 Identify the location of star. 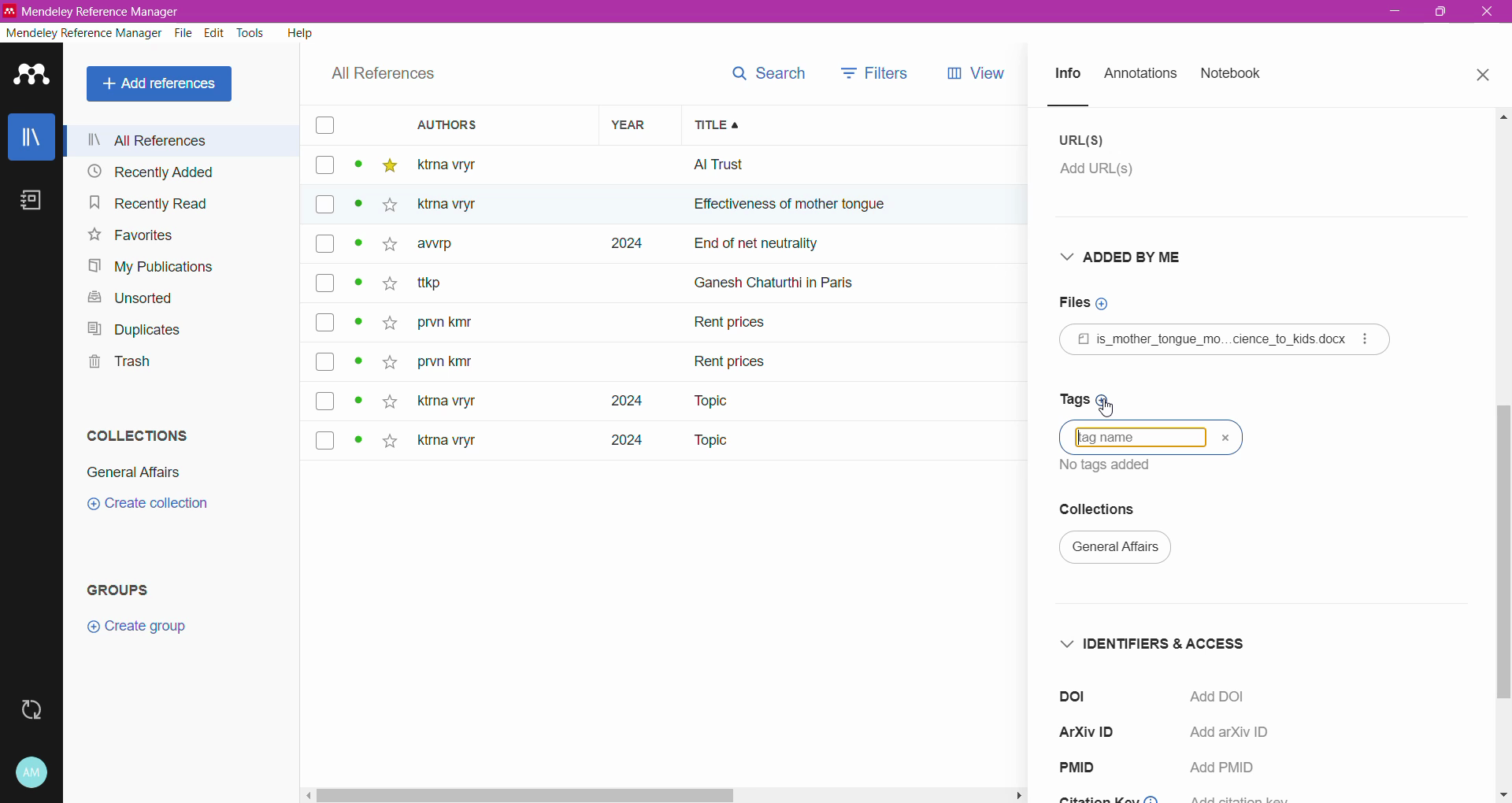
(389, 166).